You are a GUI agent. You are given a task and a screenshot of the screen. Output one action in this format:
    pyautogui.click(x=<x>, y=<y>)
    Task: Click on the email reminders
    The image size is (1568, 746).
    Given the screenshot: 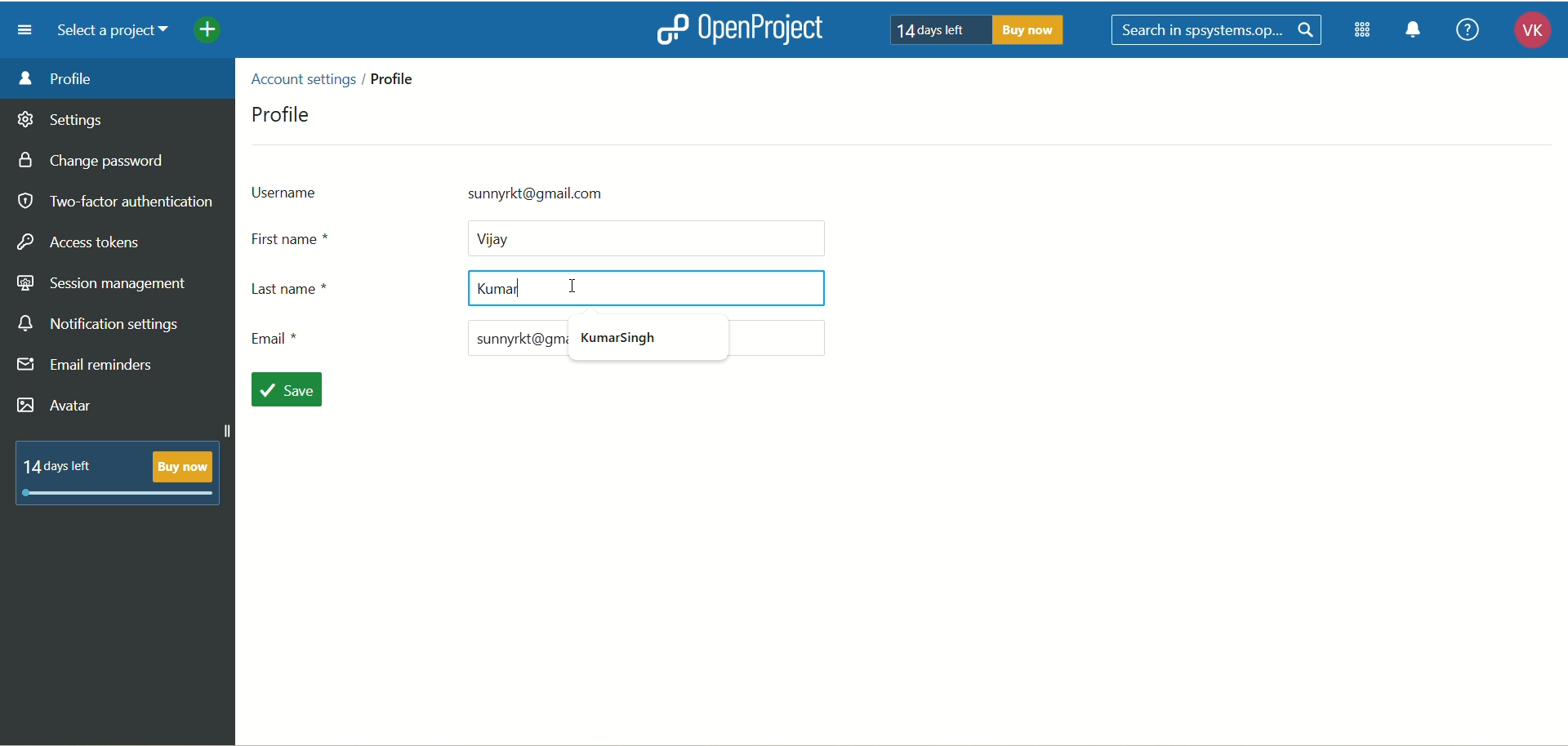 What is the action you would take?
    pyautogui.click(x=87, y=368)
    